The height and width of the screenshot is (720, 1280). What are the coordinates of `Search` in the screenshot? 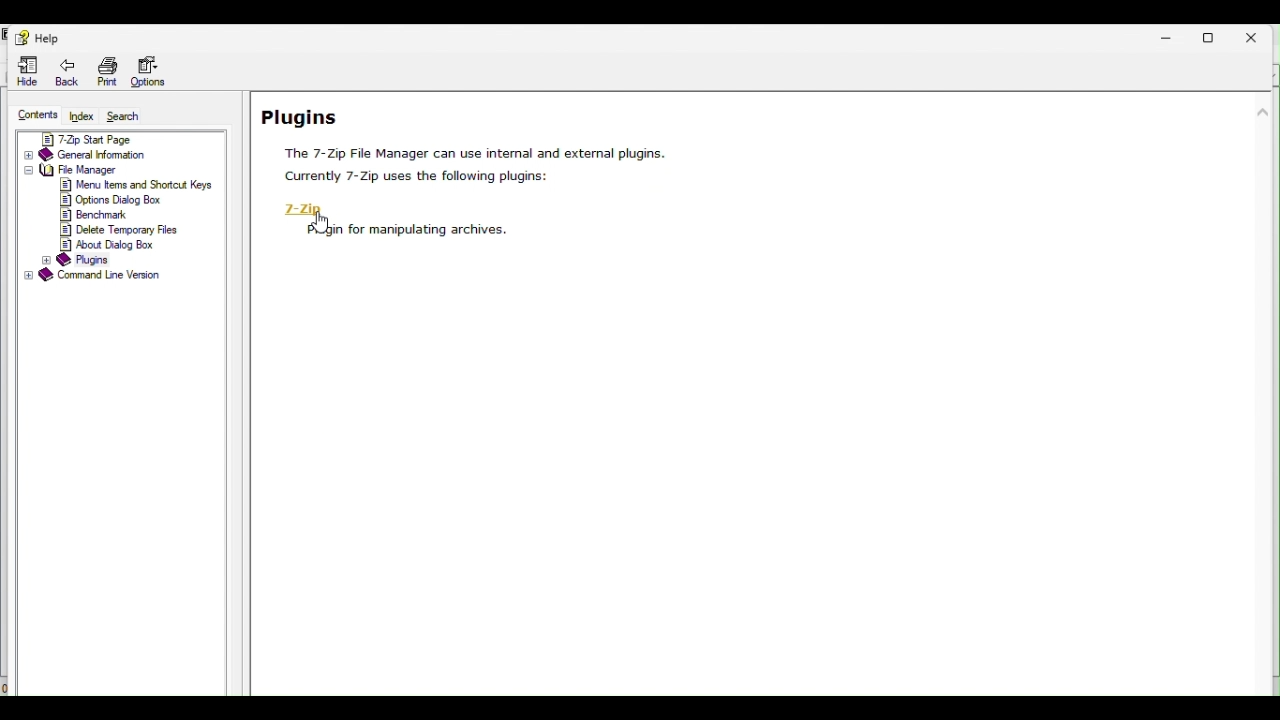 It's located at (129, 117).